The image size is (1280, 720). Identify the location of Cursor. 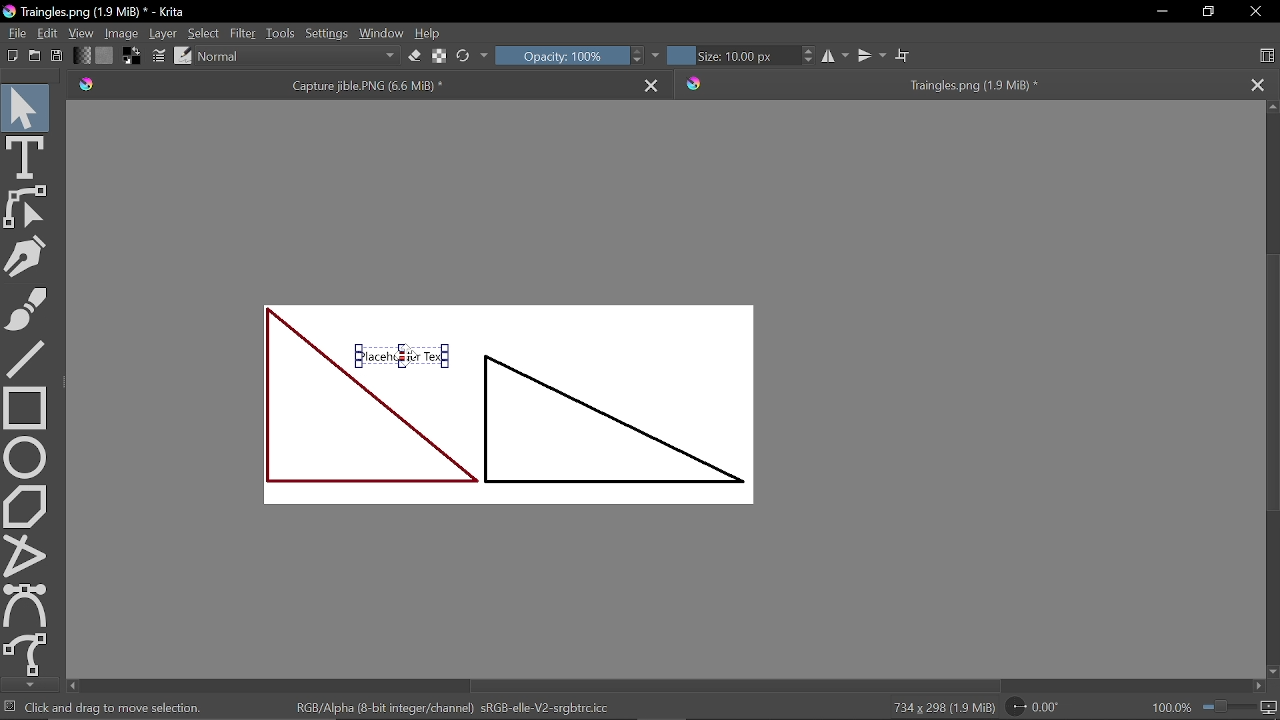
(403, 353).